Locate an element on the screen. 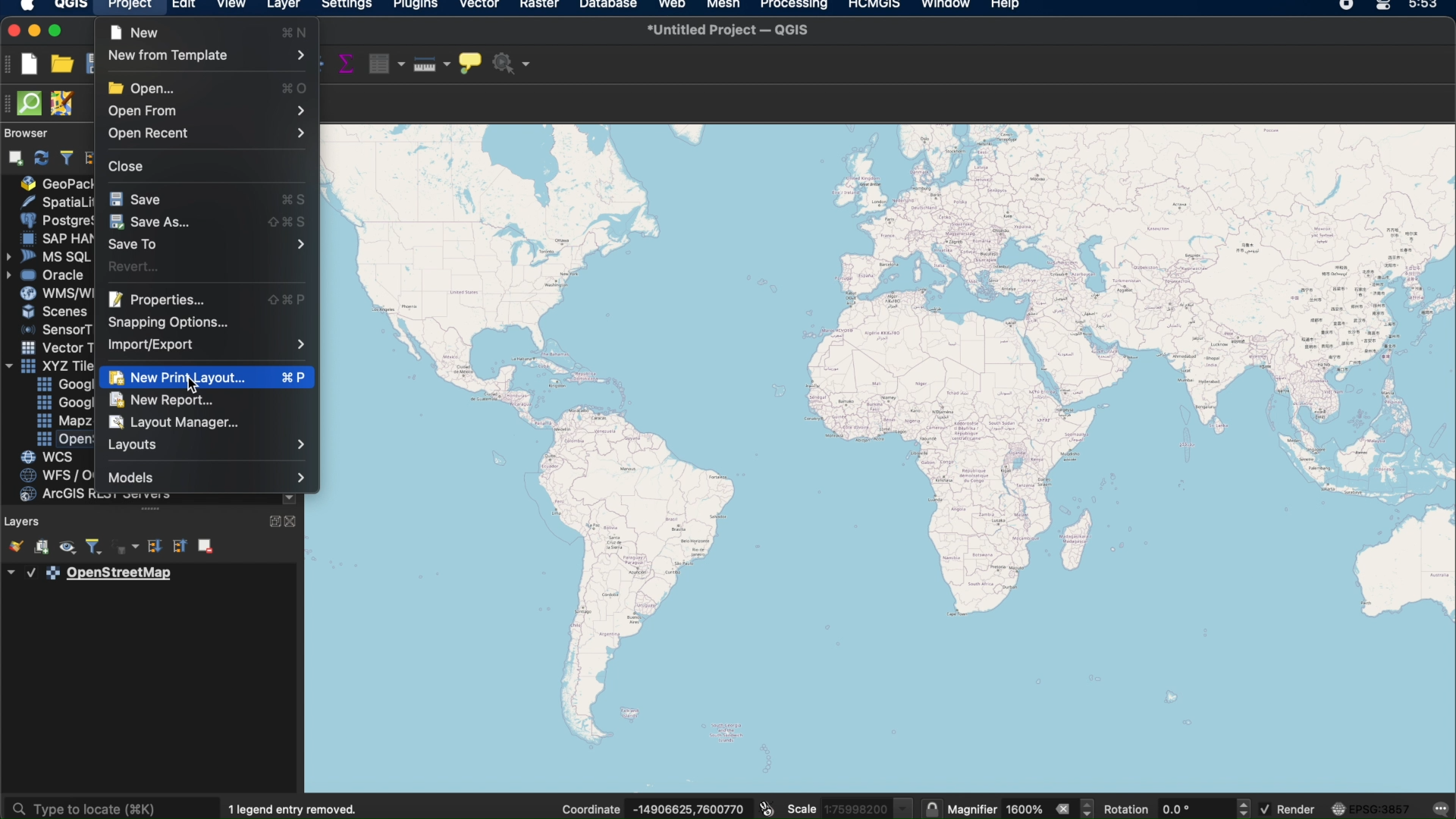 The image size is (1456, 819). maximize is located at coordinates (57, 30).